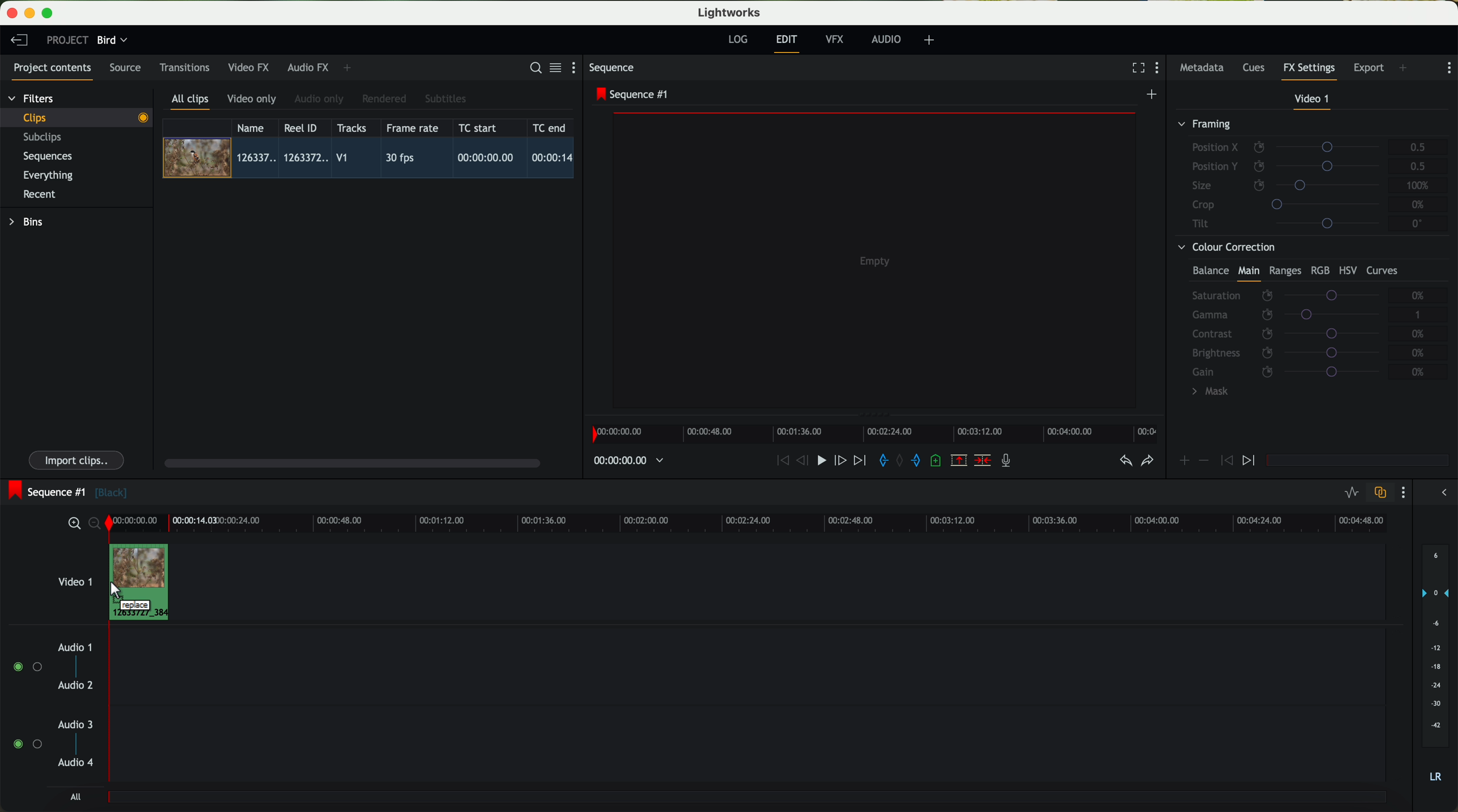 This screenshot has height=812, width=1458. Describe the element at coordinates (76, 763) in the screenshot. I see `audio 4` at that location.